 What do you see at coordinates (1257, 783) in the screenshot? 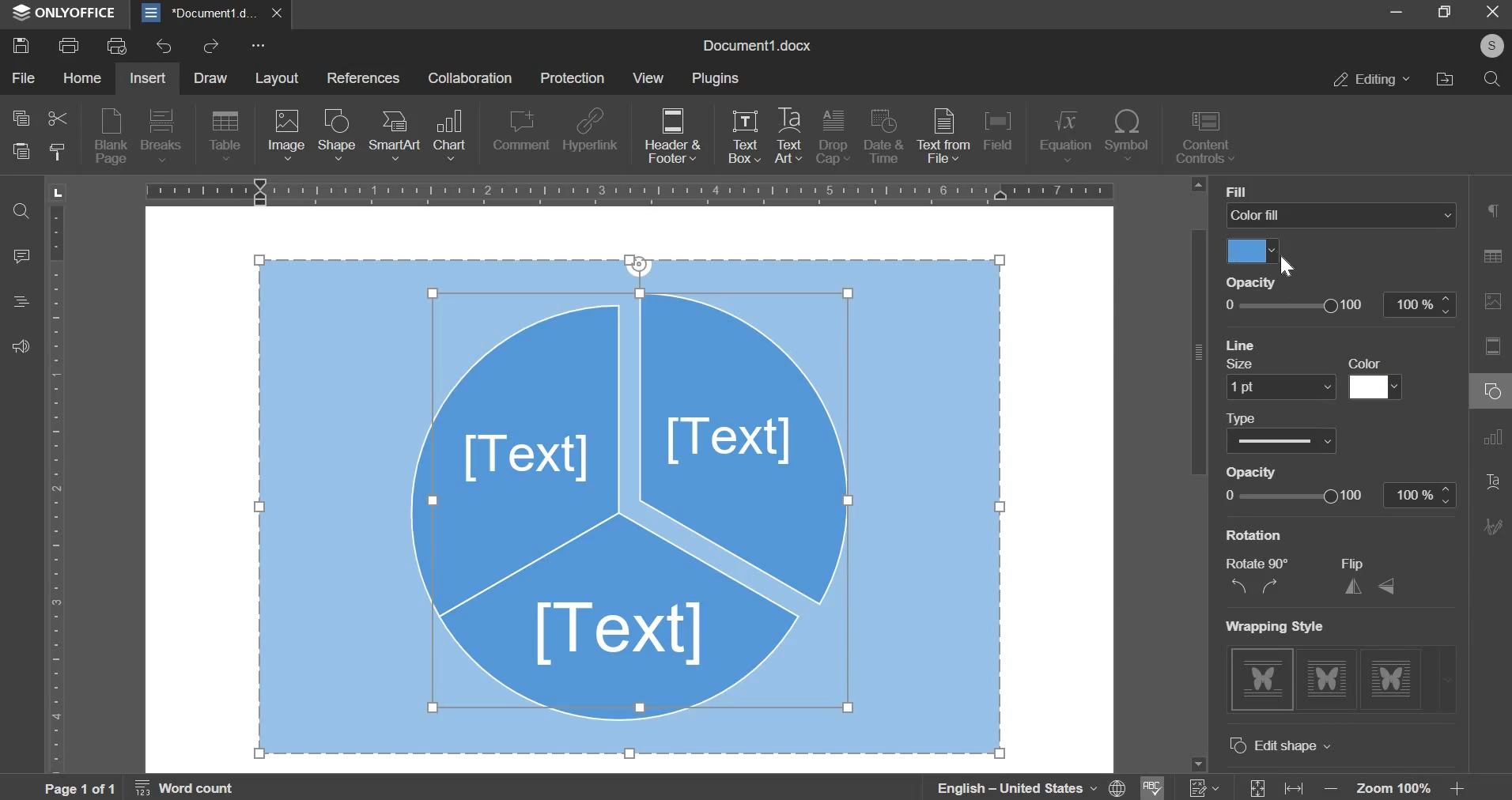
I see `fit size` at bounding box center [1257, 783].